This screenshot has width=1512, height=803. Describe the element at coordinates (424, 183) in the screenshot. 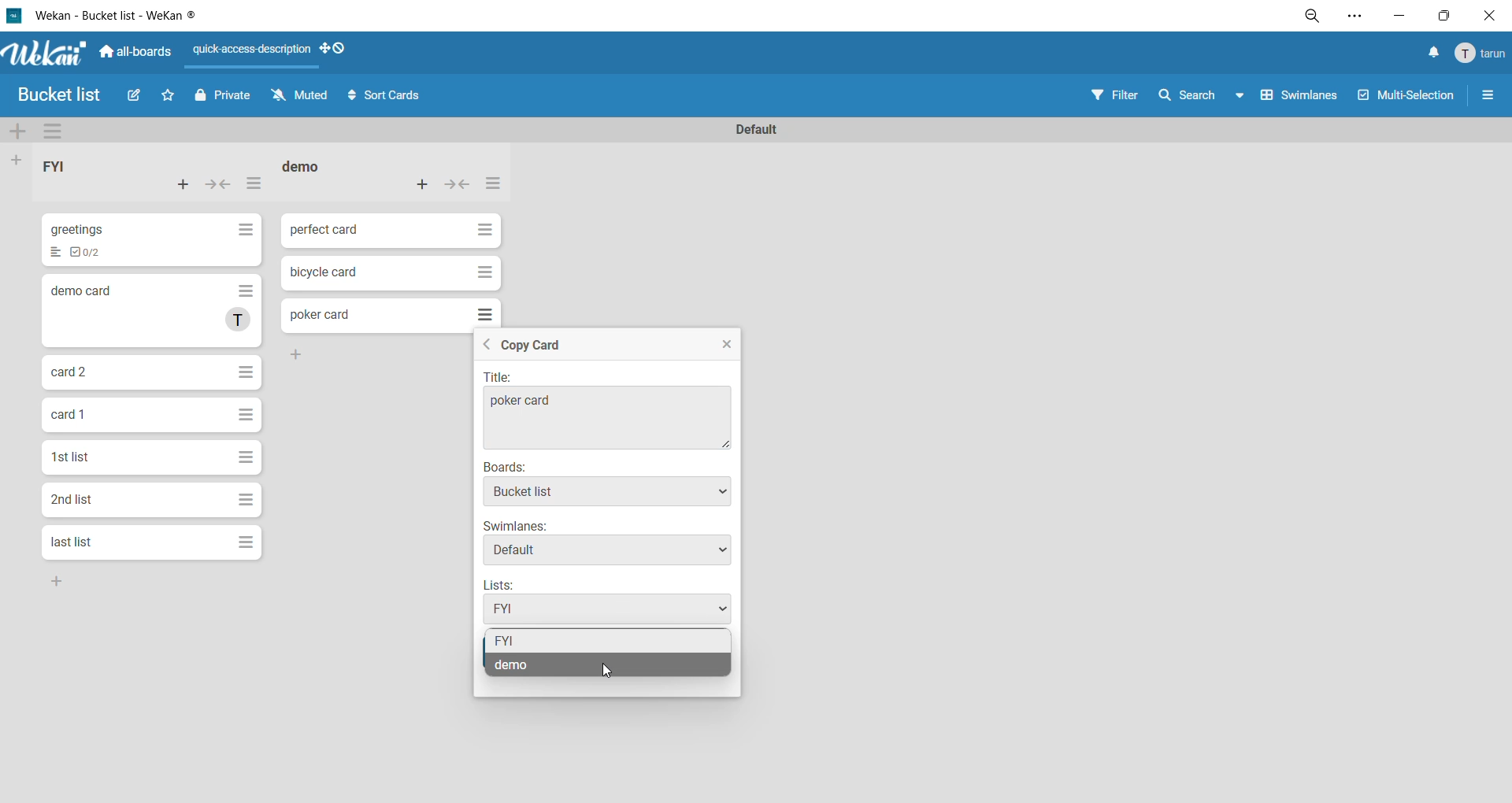

I see `add card` at that location.